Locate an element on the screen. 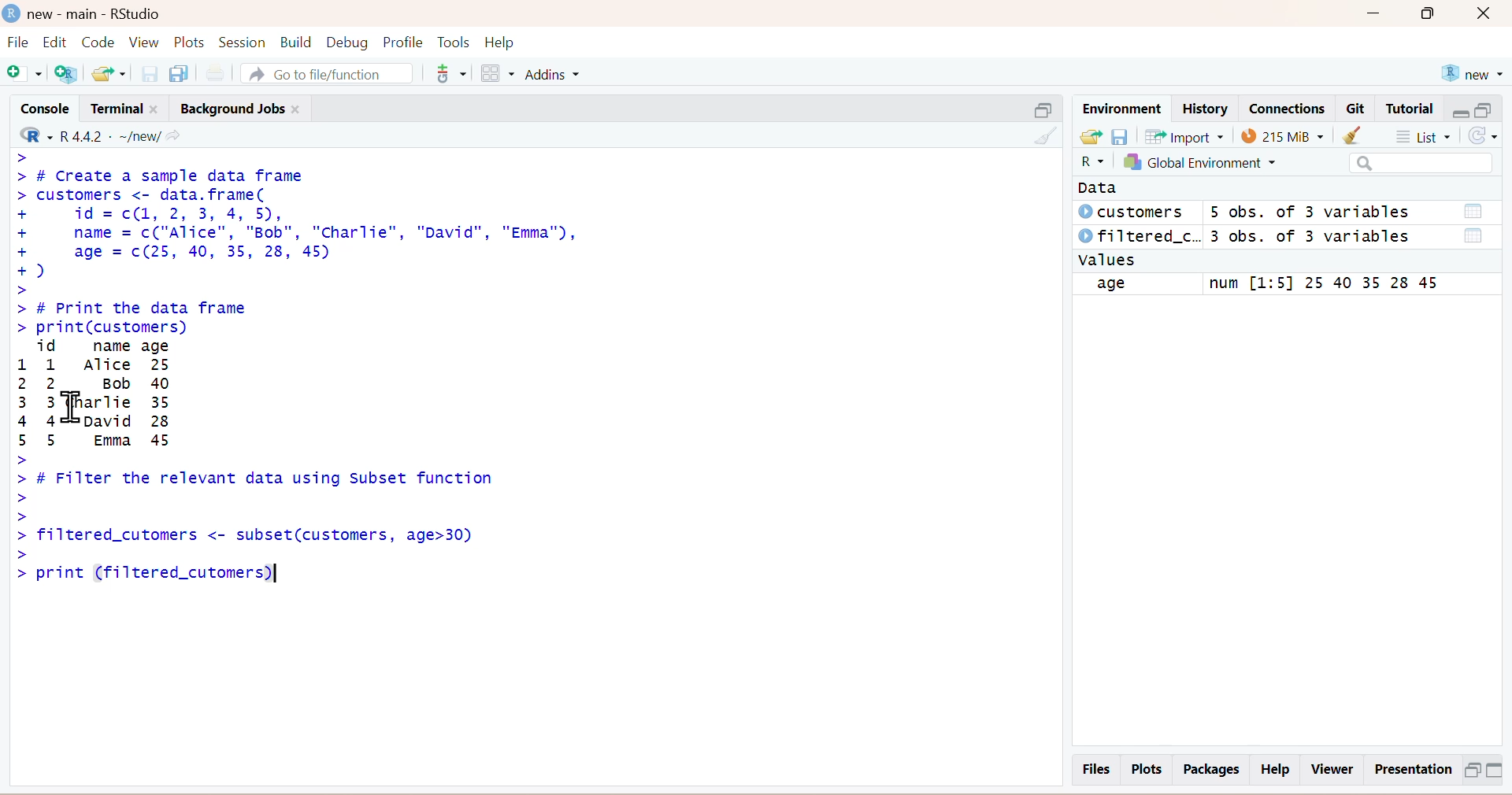 The image size is (1512, 795). minimise is located at coordinates (1459, 109).